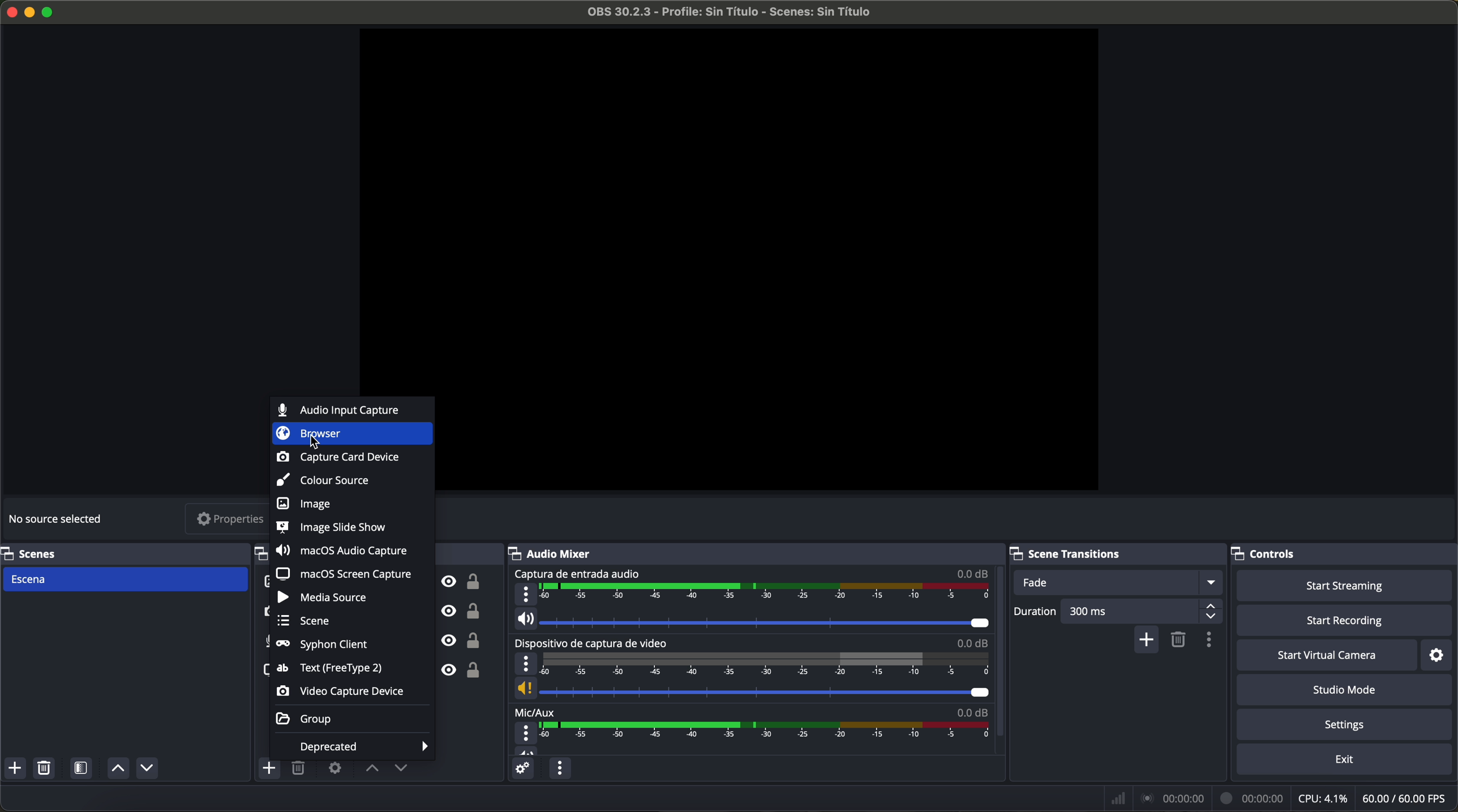 The height and width of the screenshot is (812, 1458). I want to click on add scenes, so click(14, 768).